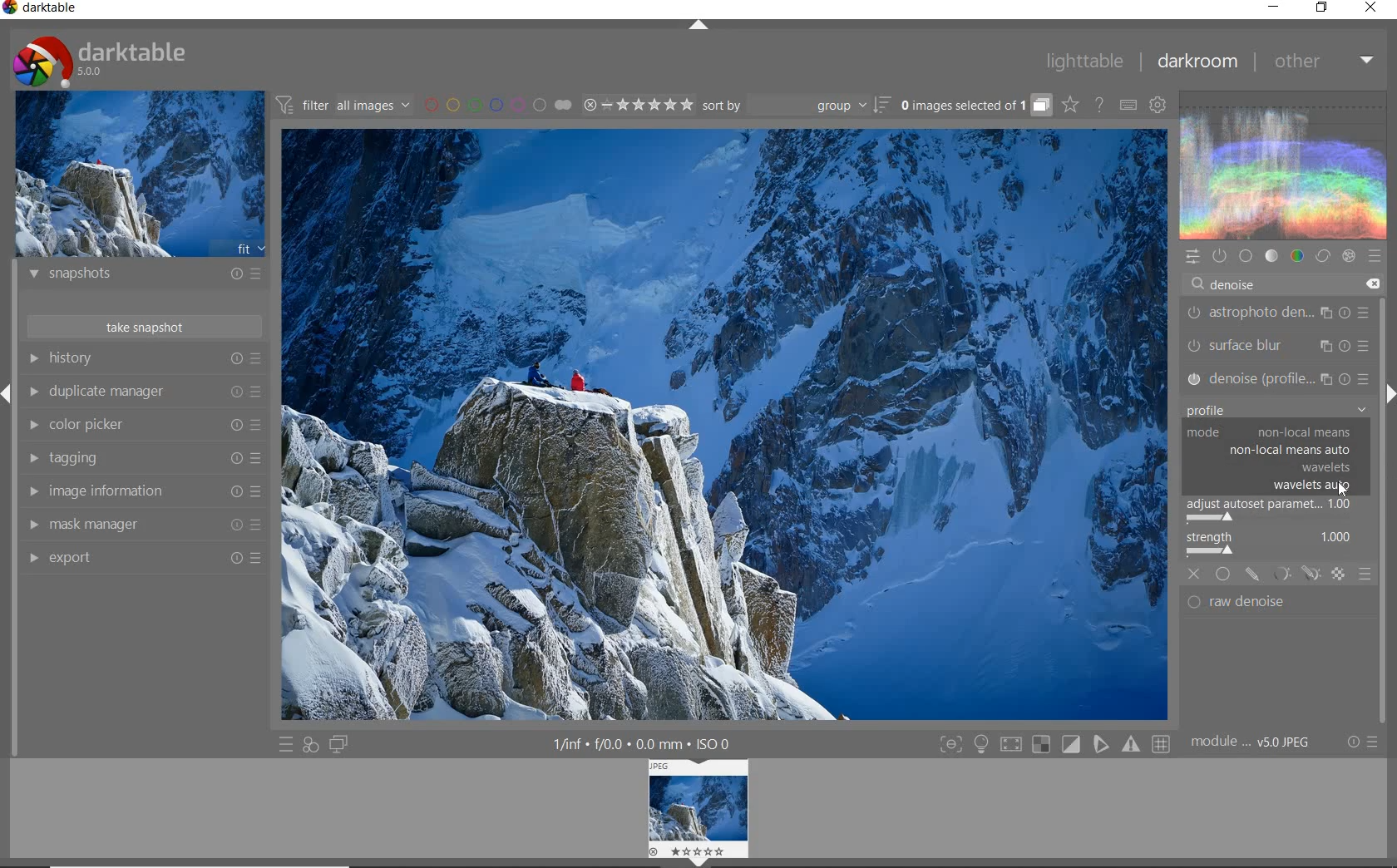 The width and height of the screenshot is (1397, 868). I want to click on image information, so click(143, 491).